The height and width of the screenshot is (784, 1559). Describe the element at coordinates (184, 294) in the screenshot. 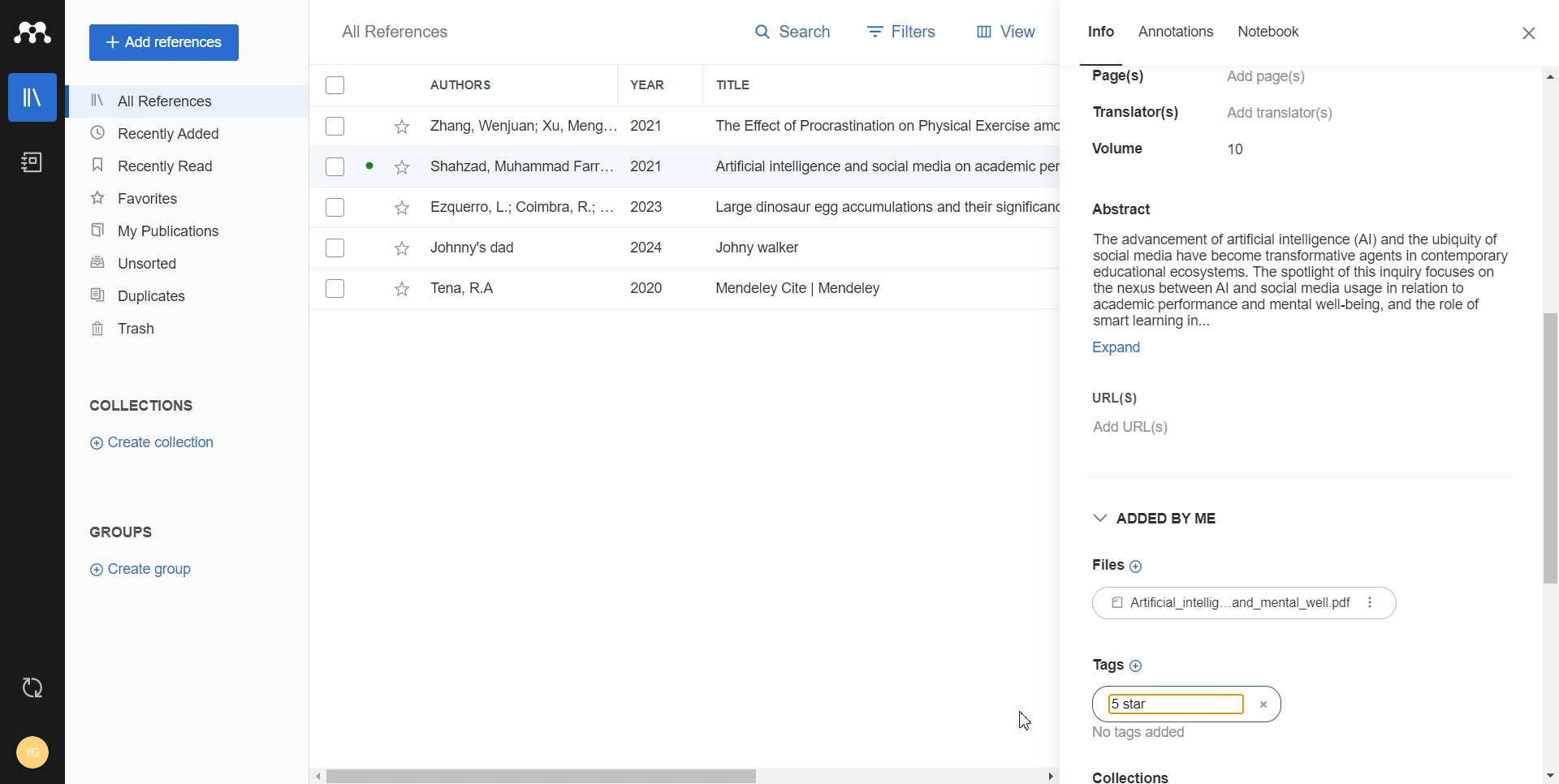

I see `Duplicates` at that location.